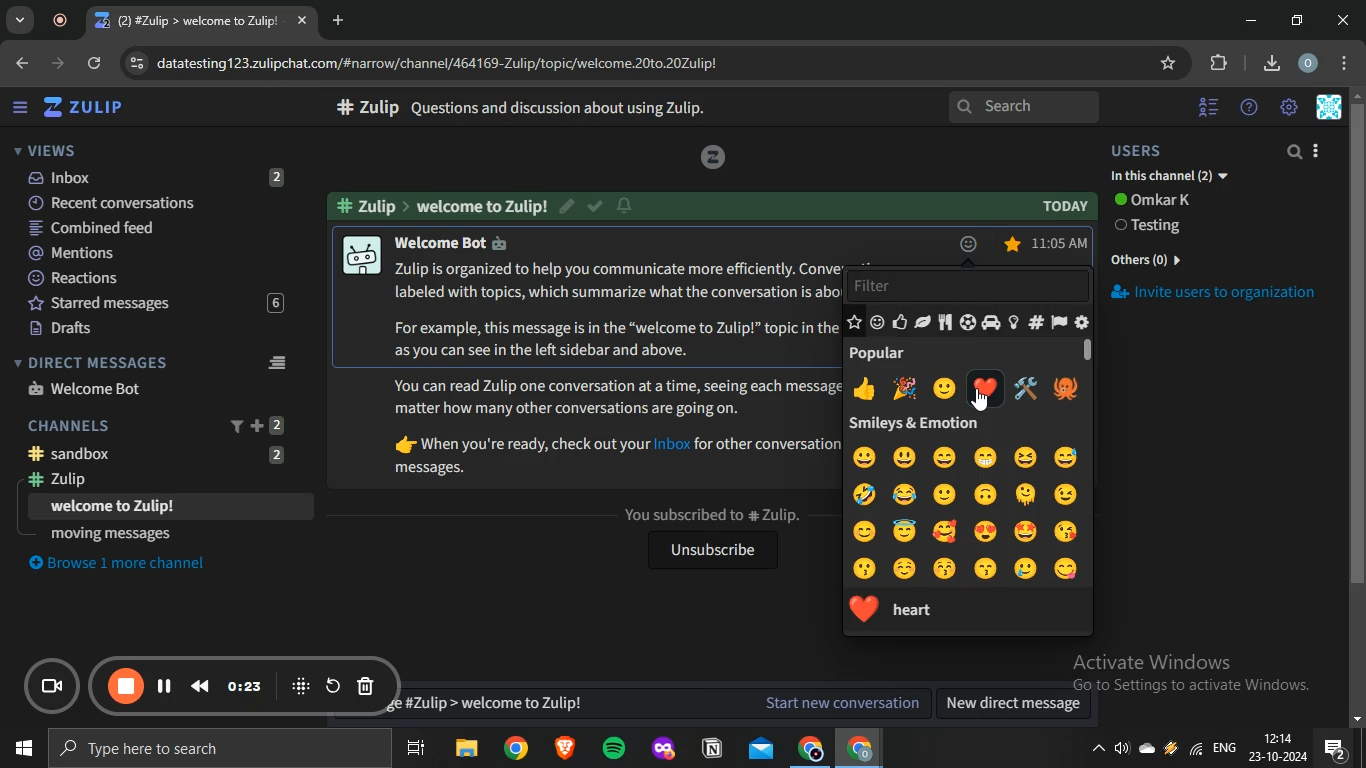 The width and height of the screenshot is (1366, 768). What do you see at coordinates (159, 481) in the screenshot?
I see `zulip` at bounding box center [159, 481].